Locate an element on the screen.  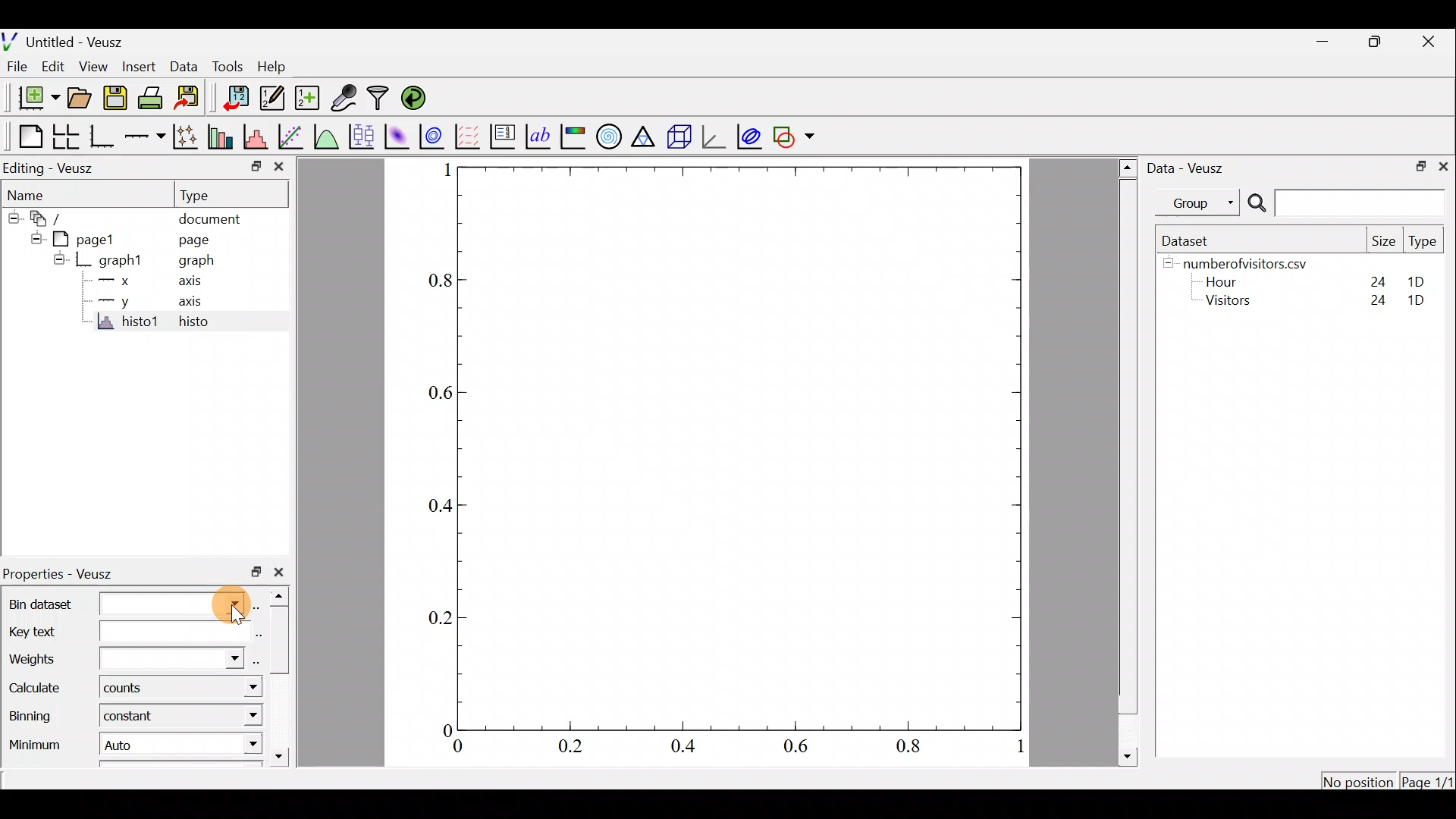
close is located at coordinates (279, 168).